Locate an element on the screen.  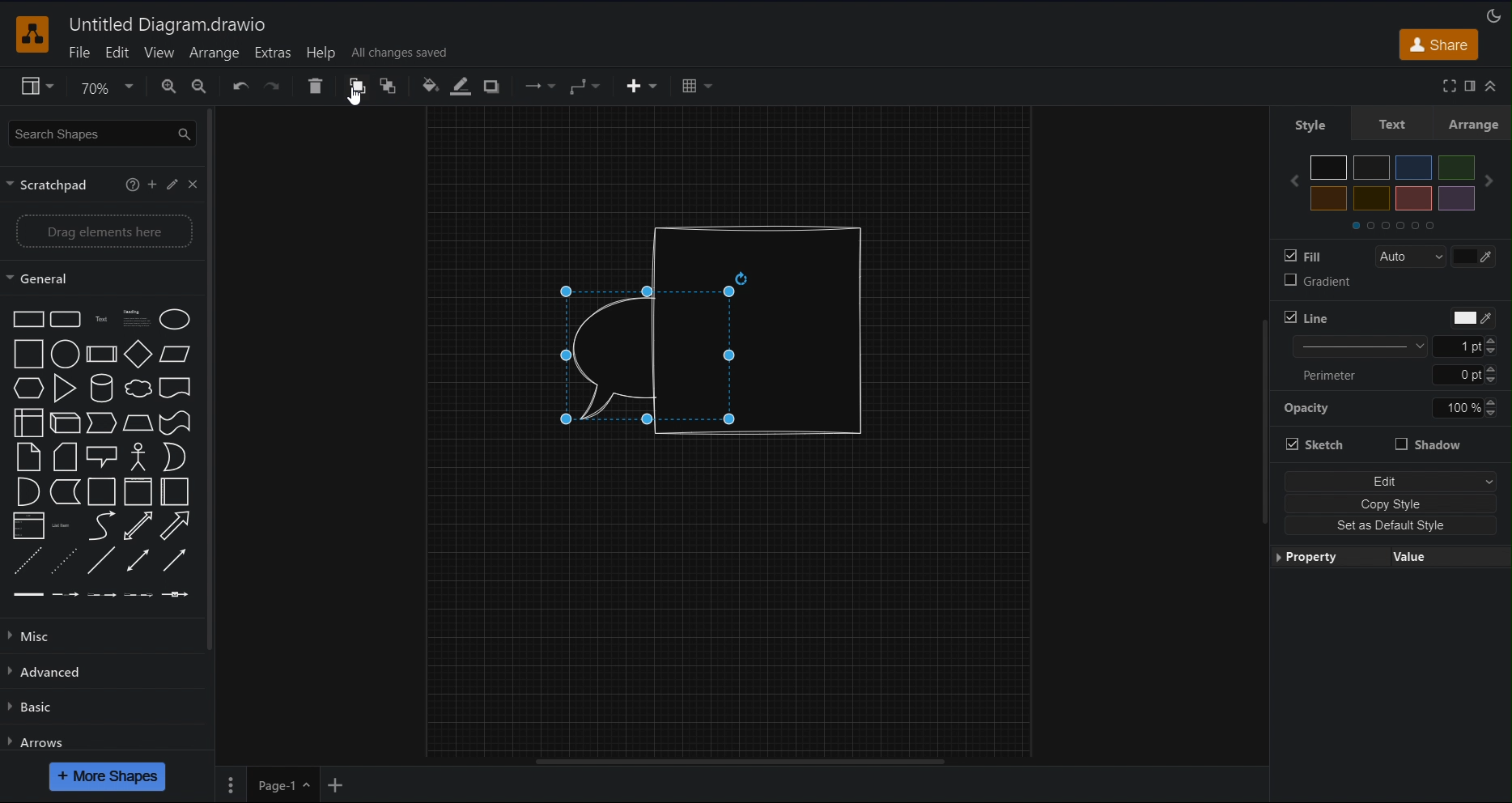
Dotted line is located at coordinates (64, 561).